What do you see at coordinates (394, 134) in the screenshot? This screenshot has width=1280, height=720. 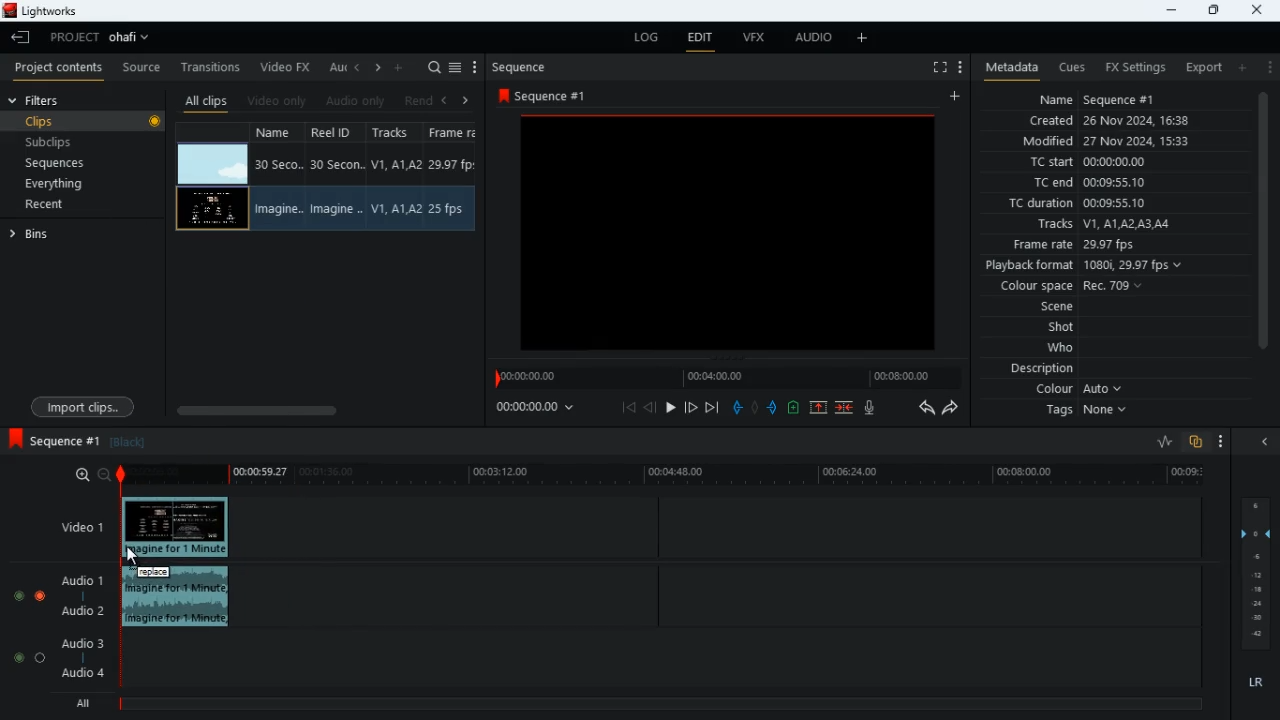 I see `tracks` at bounding box center [394, 134].